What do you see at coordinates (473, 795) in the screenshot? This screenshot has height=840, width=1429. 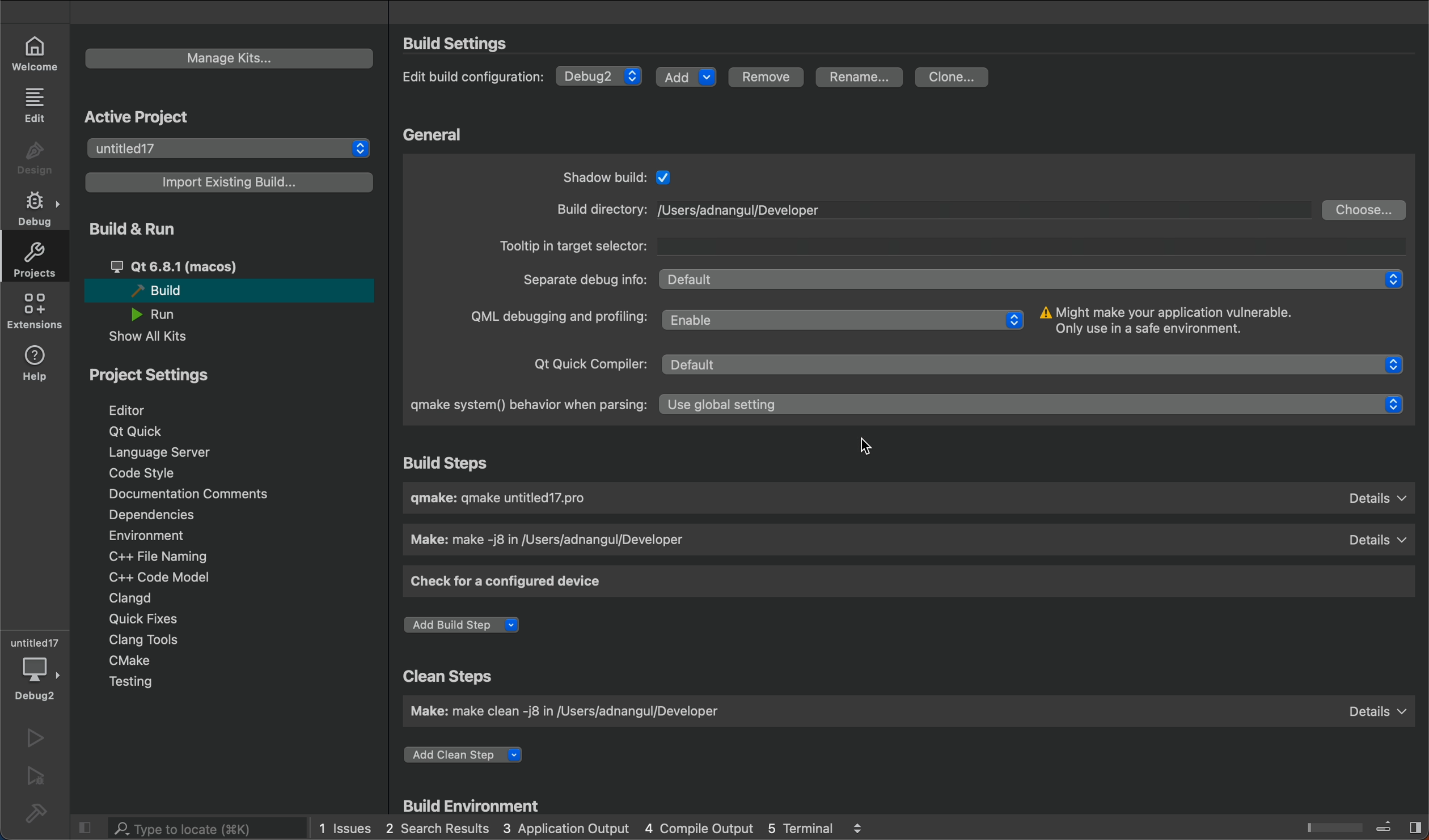 I see `build envirionment` at bounding box center [473, 795].